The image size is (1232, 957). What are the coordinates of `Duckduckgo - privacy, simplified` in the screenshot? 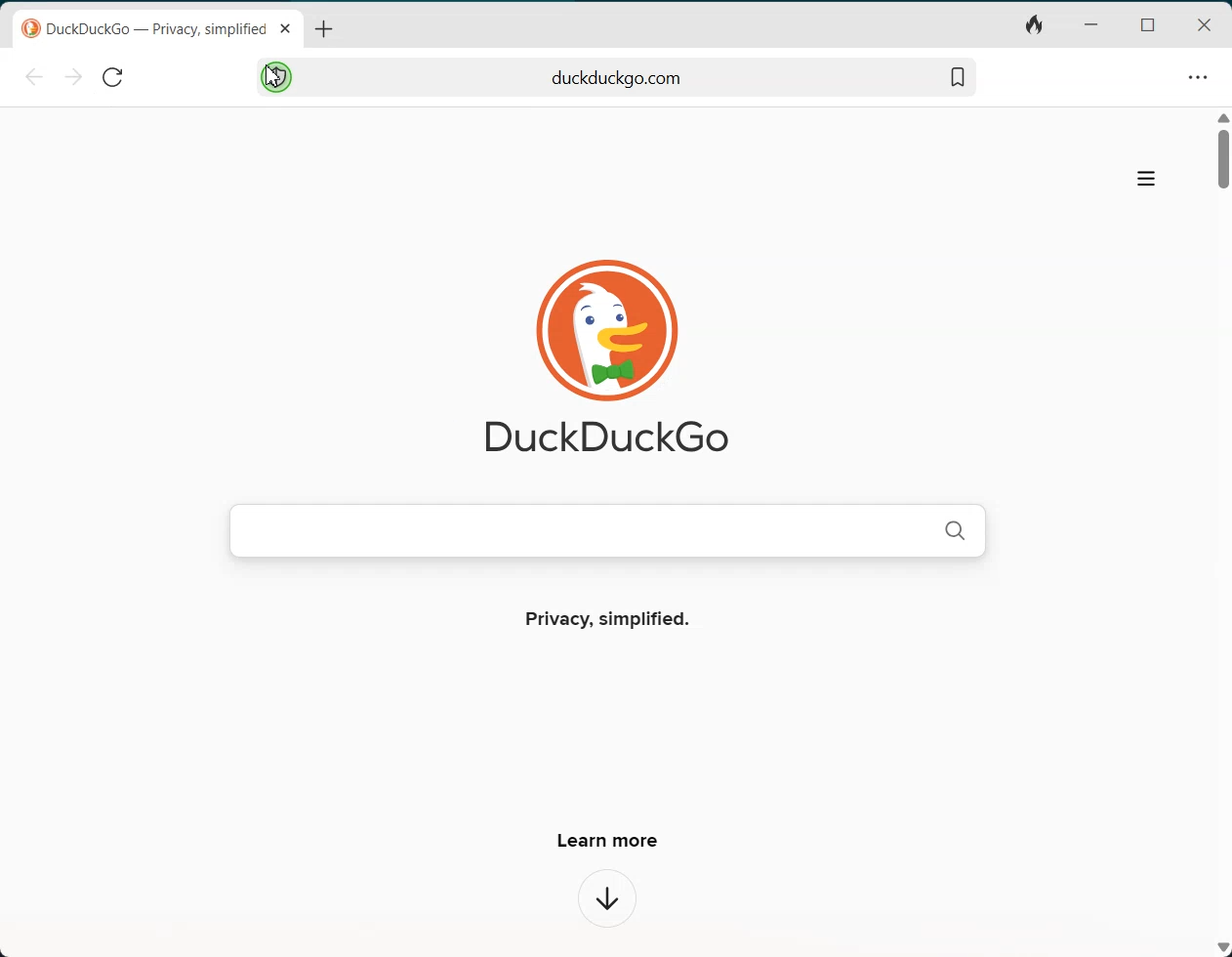 It's located at (144, 30).